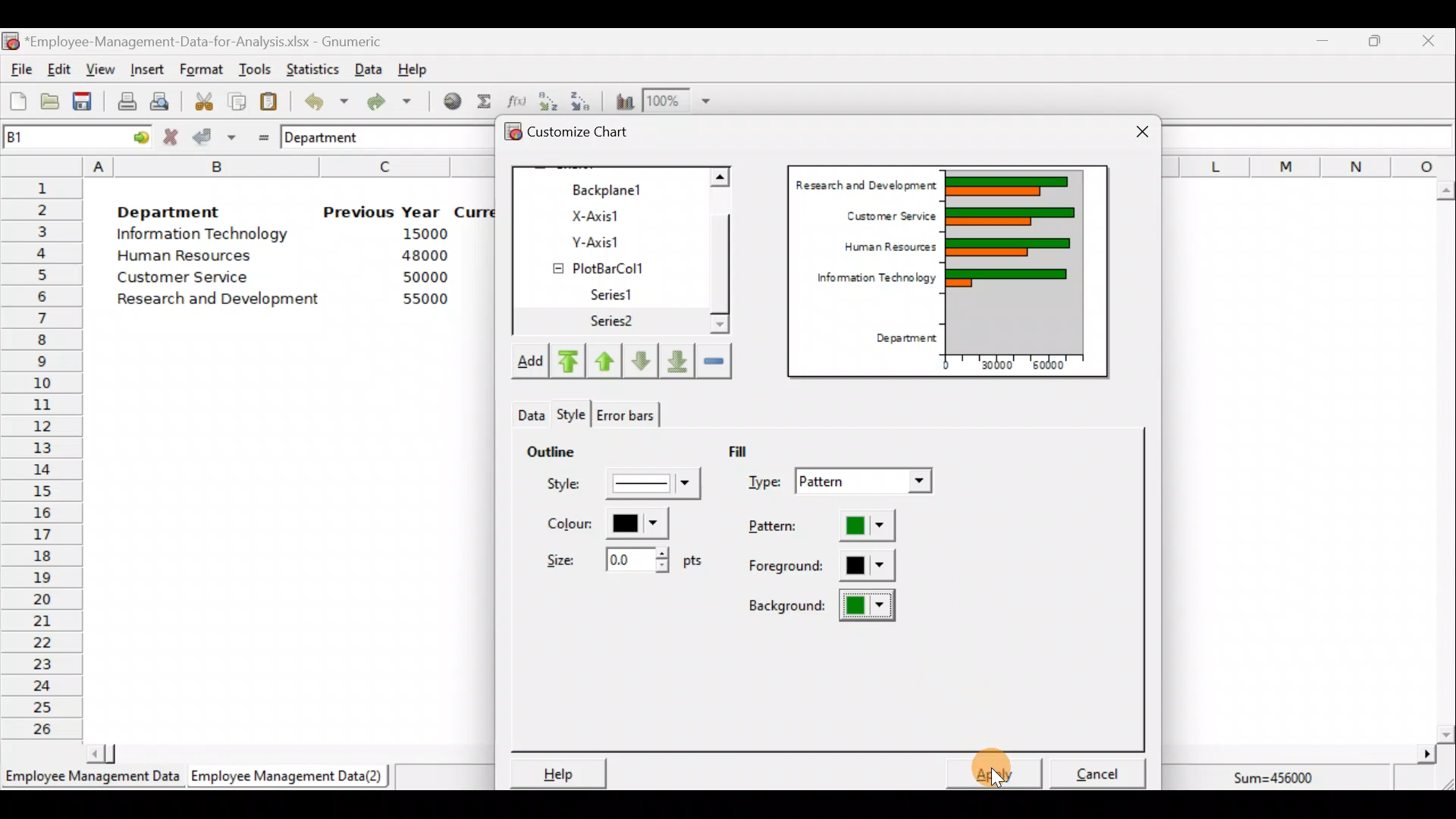 The width and height of the screenshot is (1456, 819). Describe the element at coordinates (714, 359) in the screenshot. I see `Remove` at that location.